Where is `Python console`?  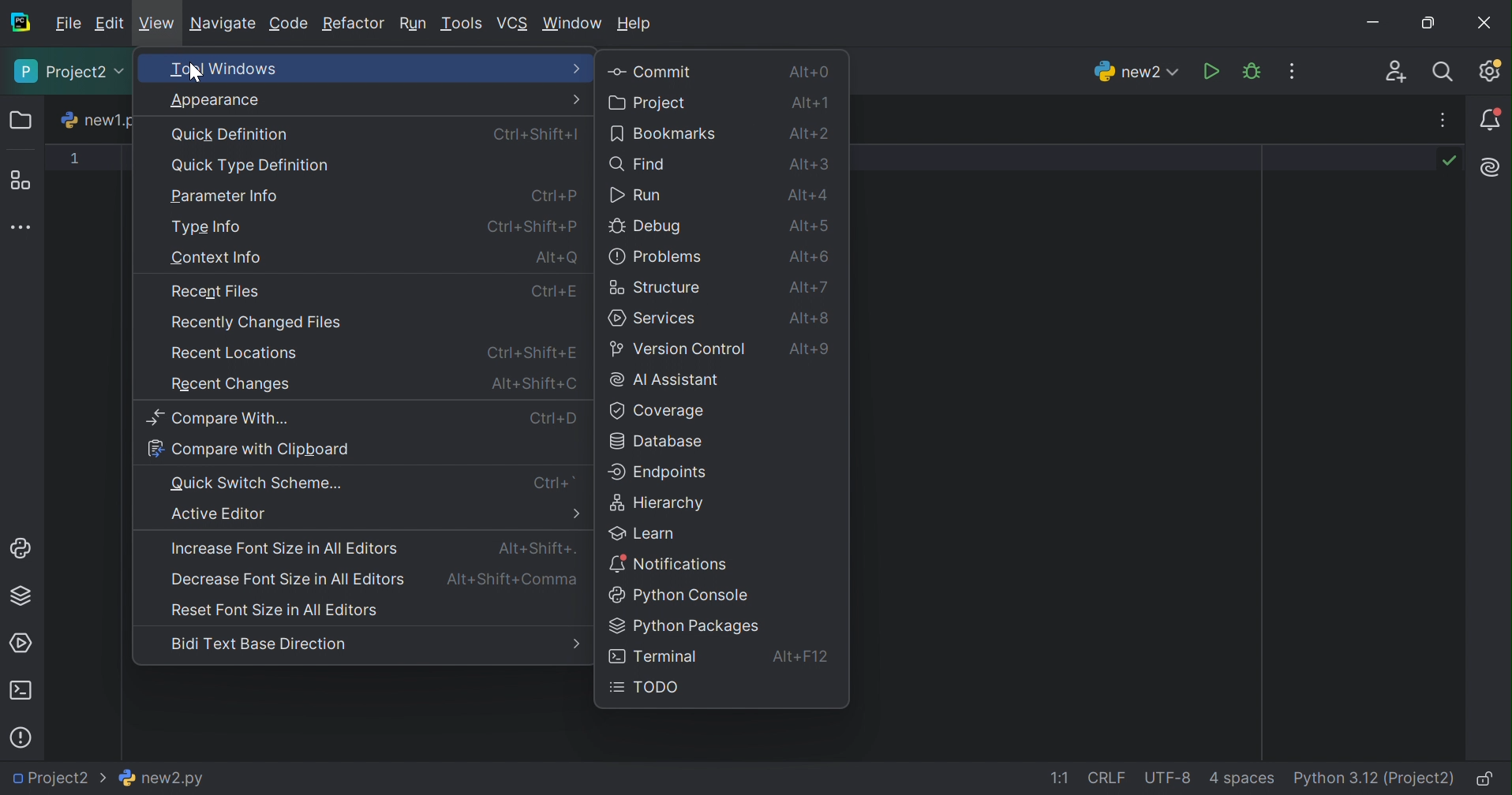
Python console is located at coordinates (682, 594).